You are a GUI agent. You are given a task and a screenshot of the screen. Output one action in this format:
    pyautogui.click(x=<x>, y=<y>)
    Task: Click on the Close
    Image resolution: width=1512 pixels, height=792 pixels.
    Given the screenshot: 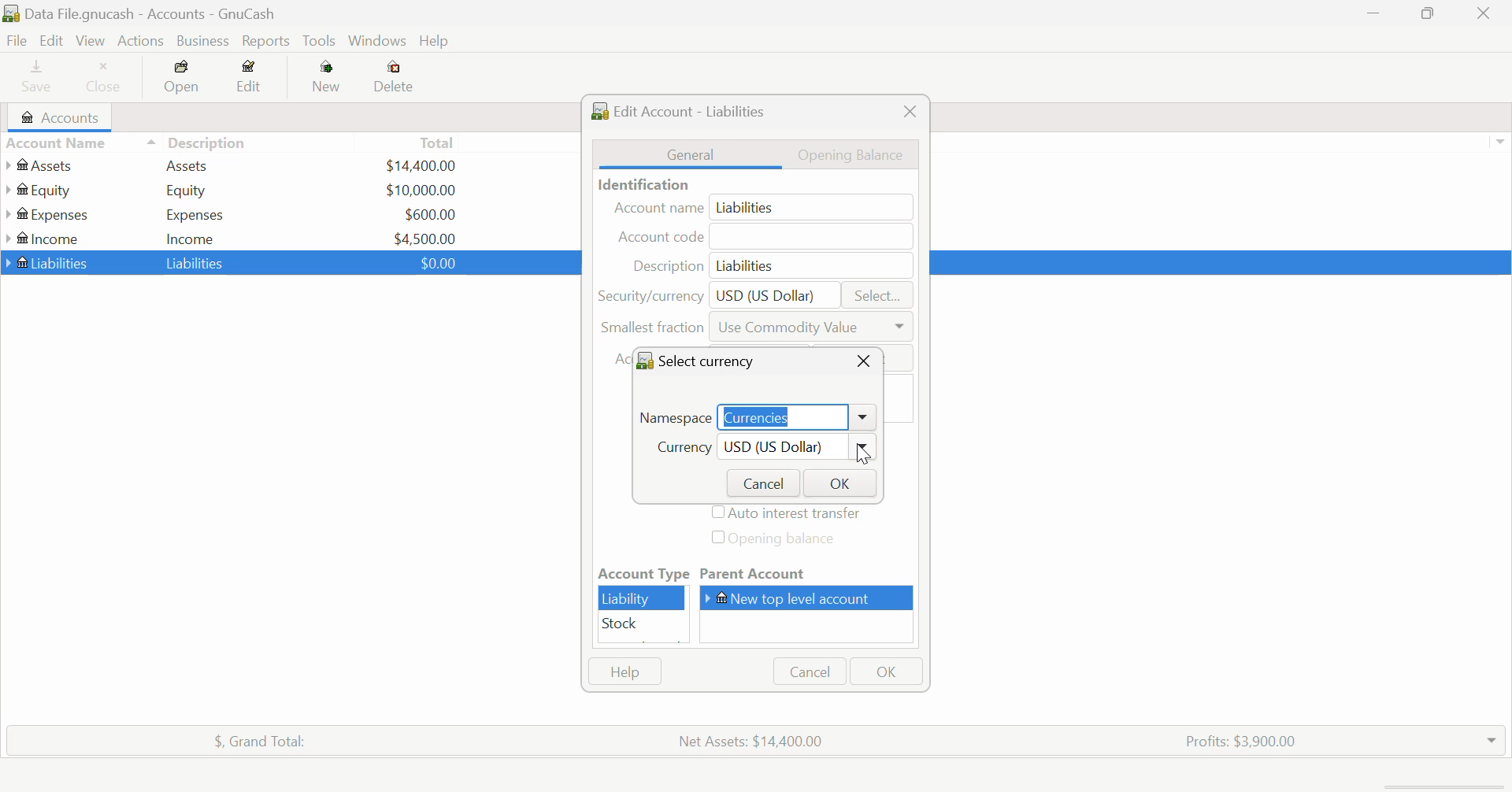 What is the action you would take?
    pyautogui.click(x=863, y=361)
    